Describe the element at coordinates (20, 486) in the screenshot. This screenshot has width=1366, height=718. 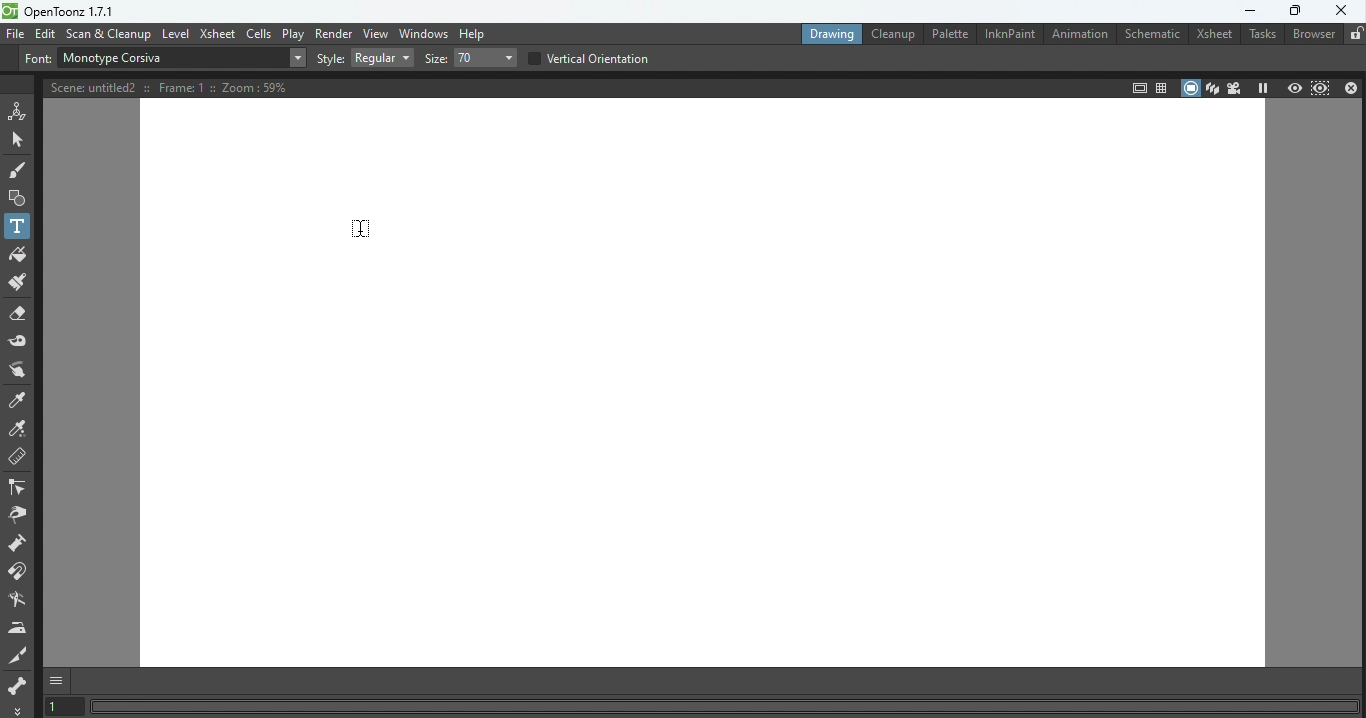
I see `Control point editor tool` at that location.